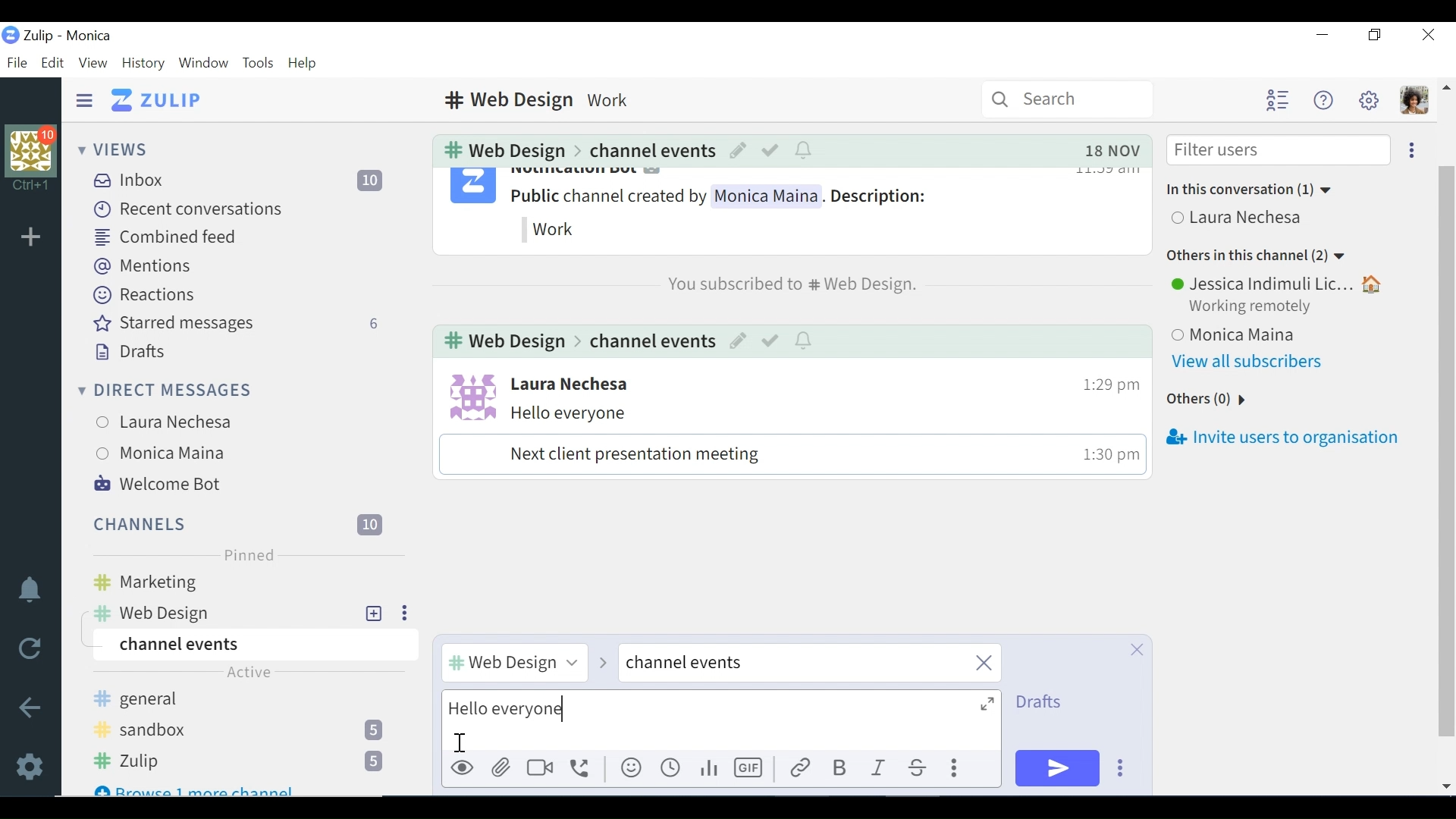 The height and width of the screenshot is (819, 1456). Describe the element at coordinates (69, 35) in the screenshot. I see `Zulip - Monica` at that location.